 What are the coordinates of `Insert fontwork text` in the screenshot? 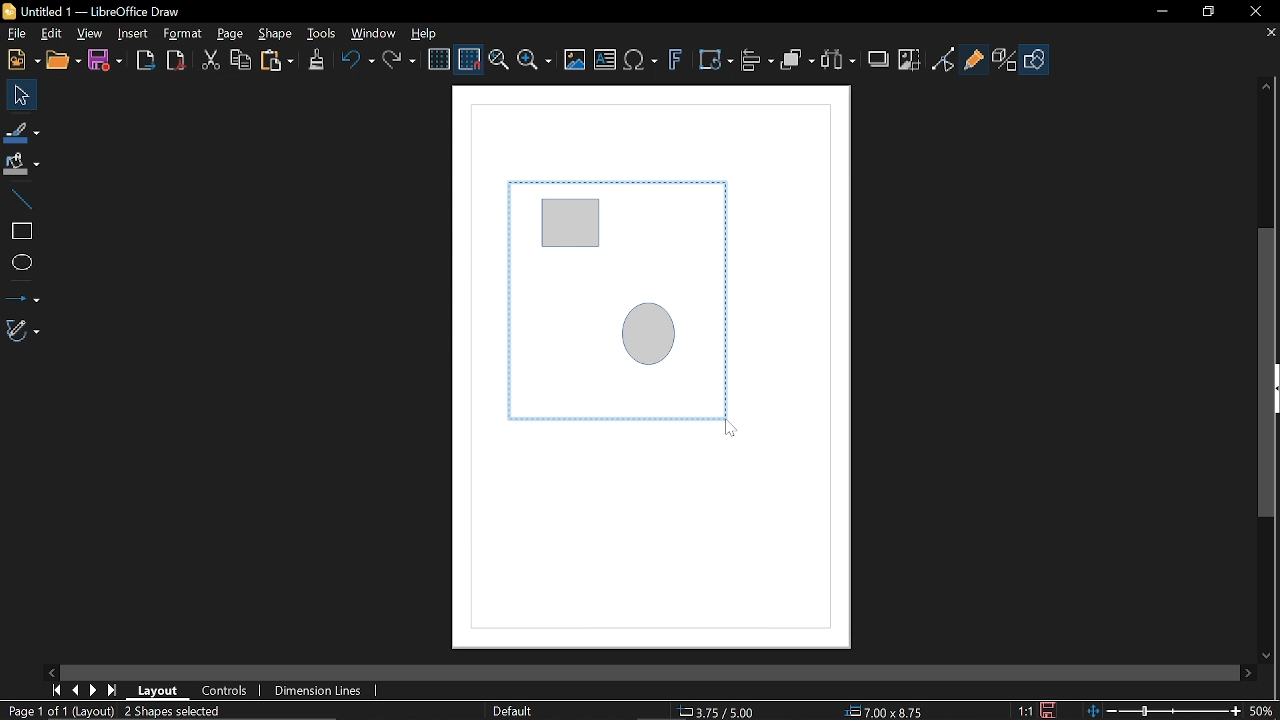 It's located at (675, 61).